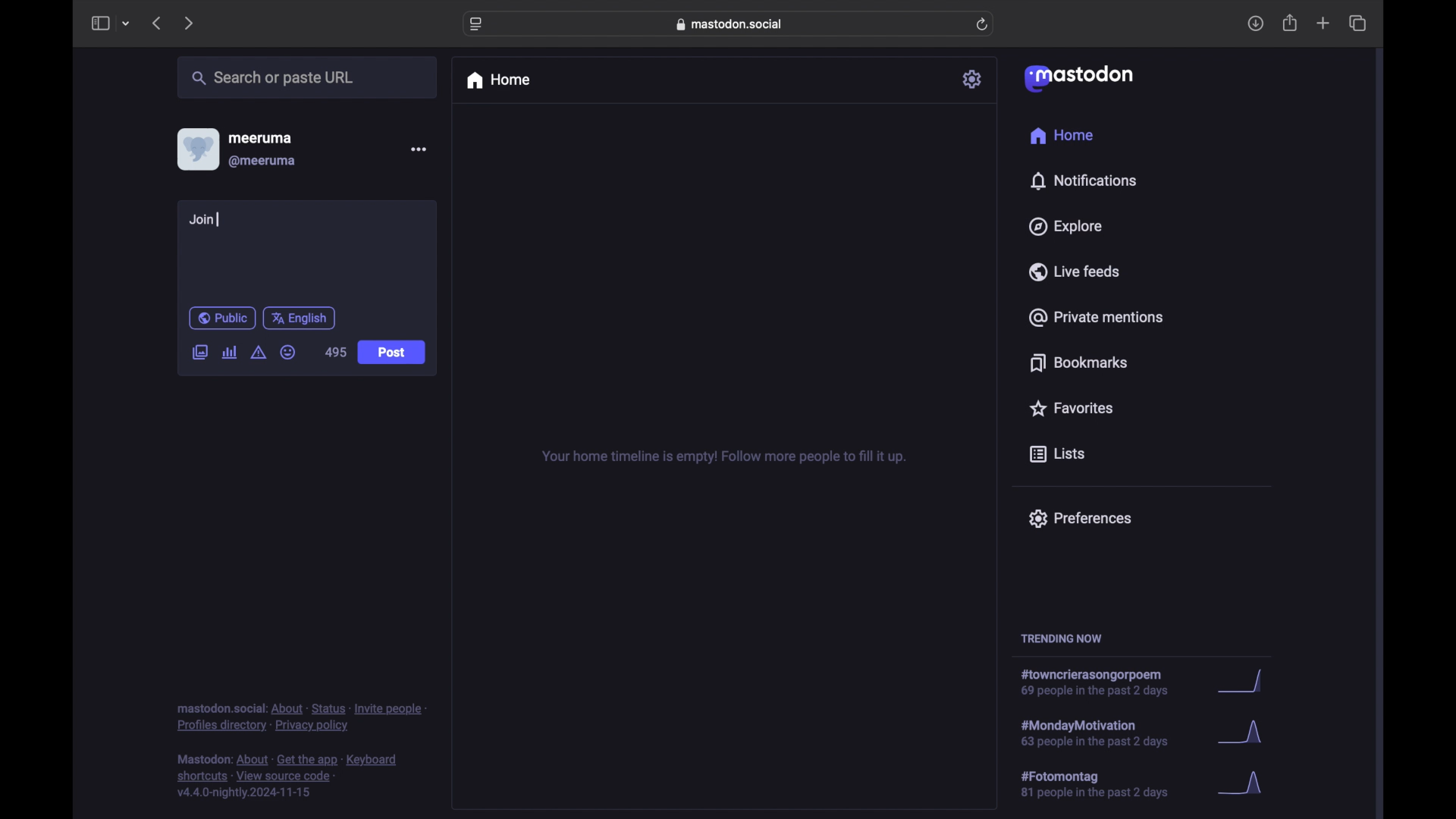 This screenshot has width=1456, height=819. I want to click on 495, so click(335, 353).